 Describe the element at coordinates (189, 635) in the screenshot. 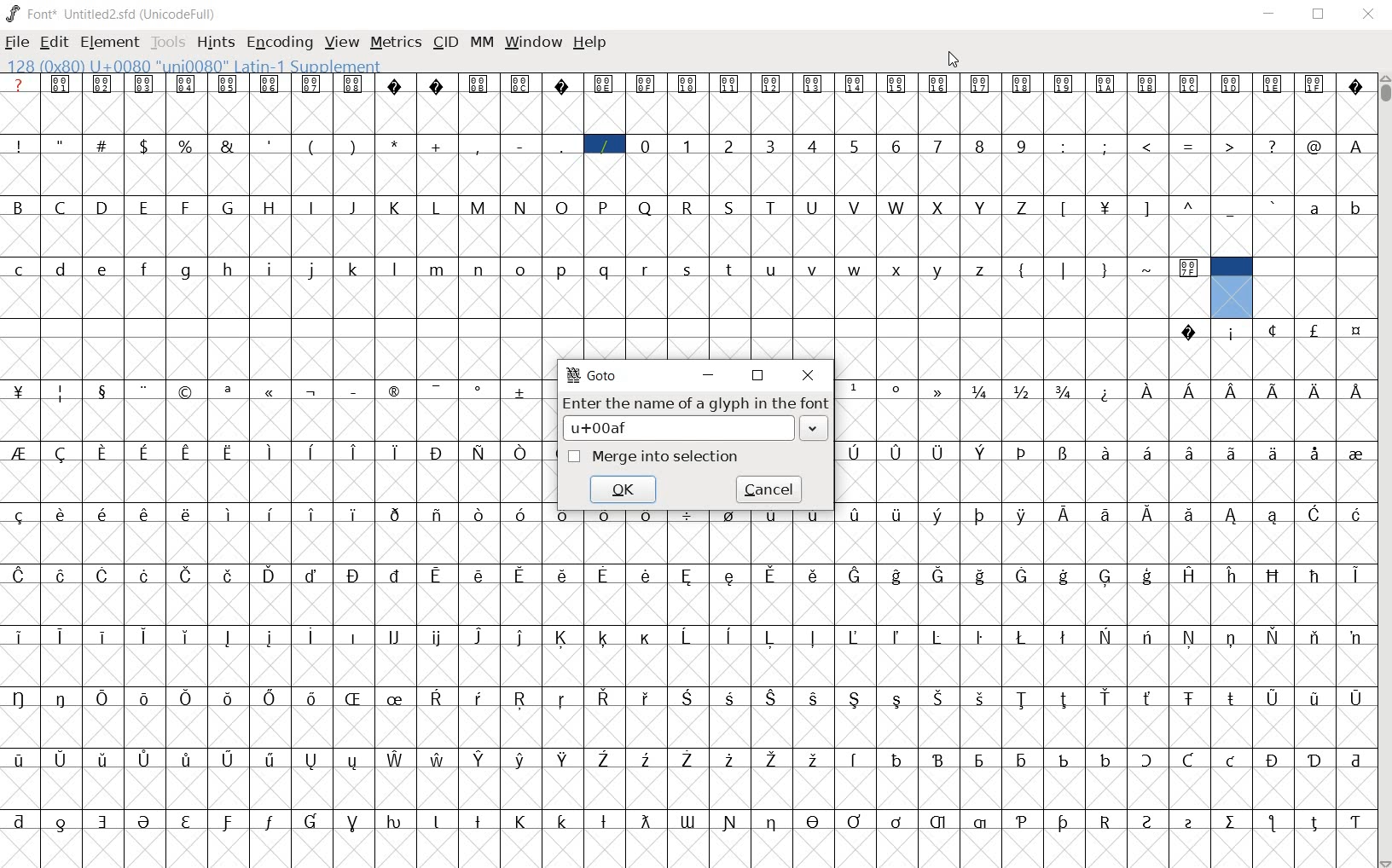

I see `Symbol` at that location.